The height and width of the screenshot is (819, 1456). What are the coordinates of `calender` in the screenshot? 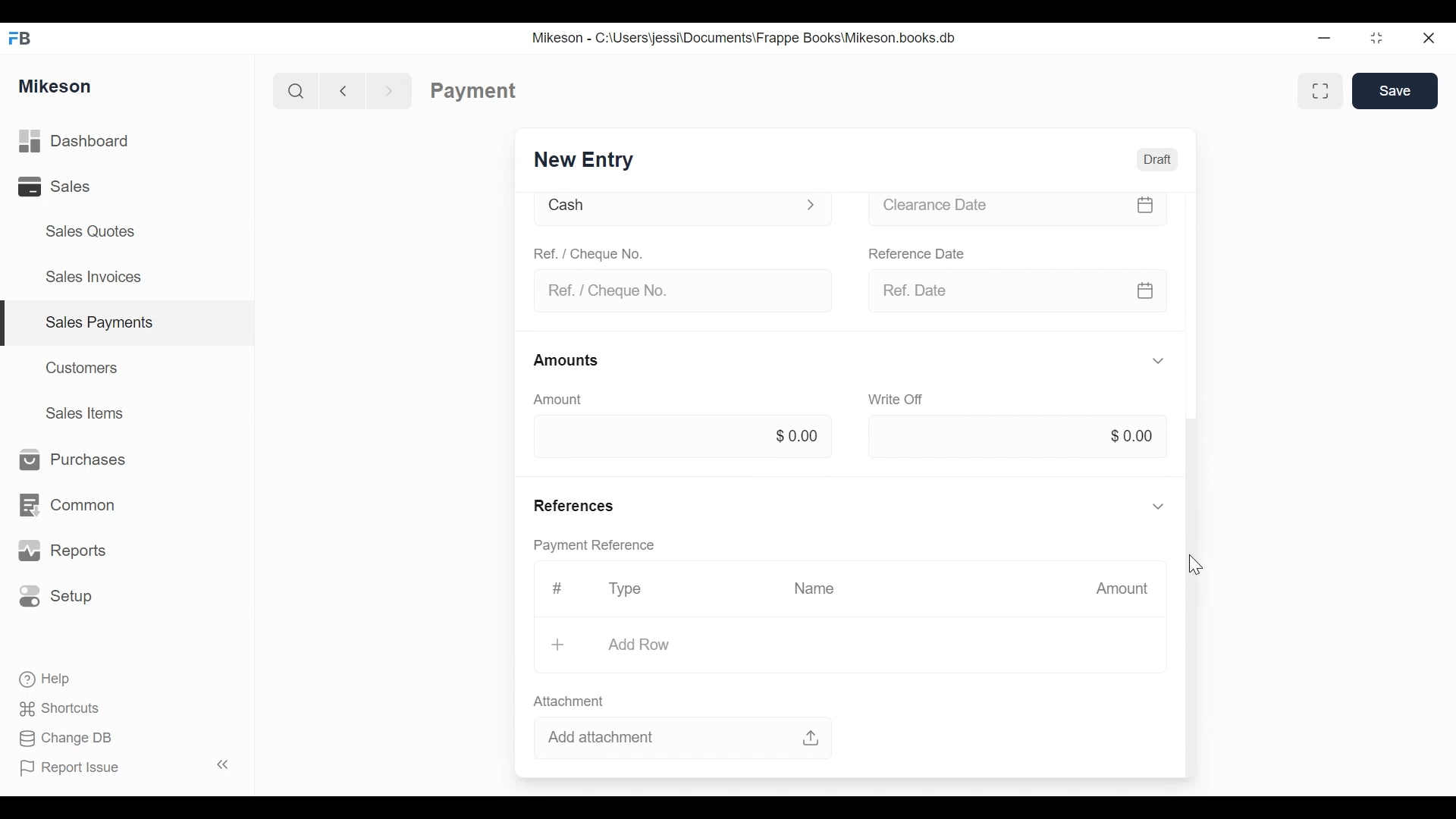 It's located at (1141, 204).